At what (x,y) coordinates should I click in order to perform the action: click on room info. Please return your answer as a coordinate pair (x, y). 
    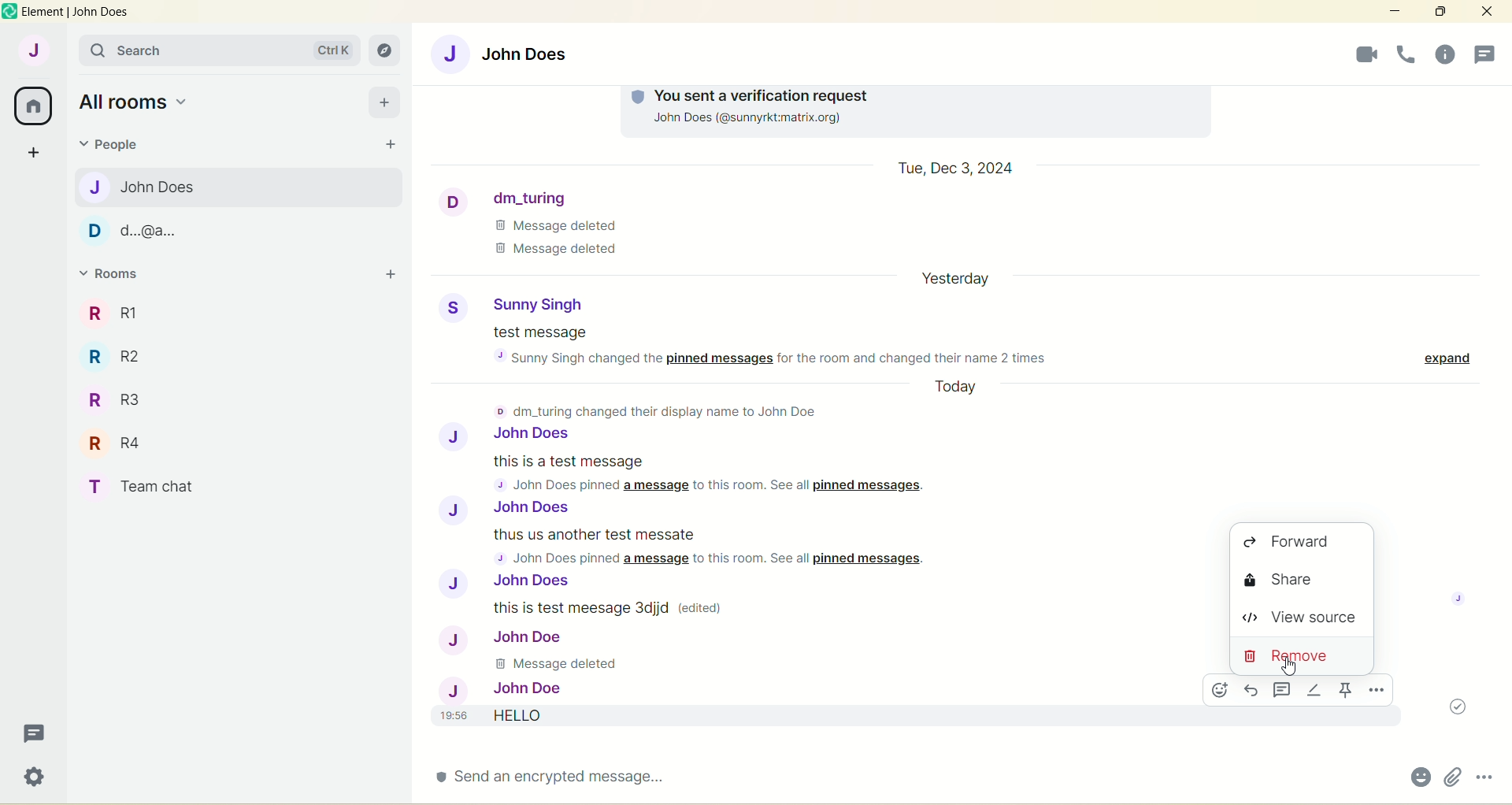
    Looking at the image, I should click on (1407, 54).